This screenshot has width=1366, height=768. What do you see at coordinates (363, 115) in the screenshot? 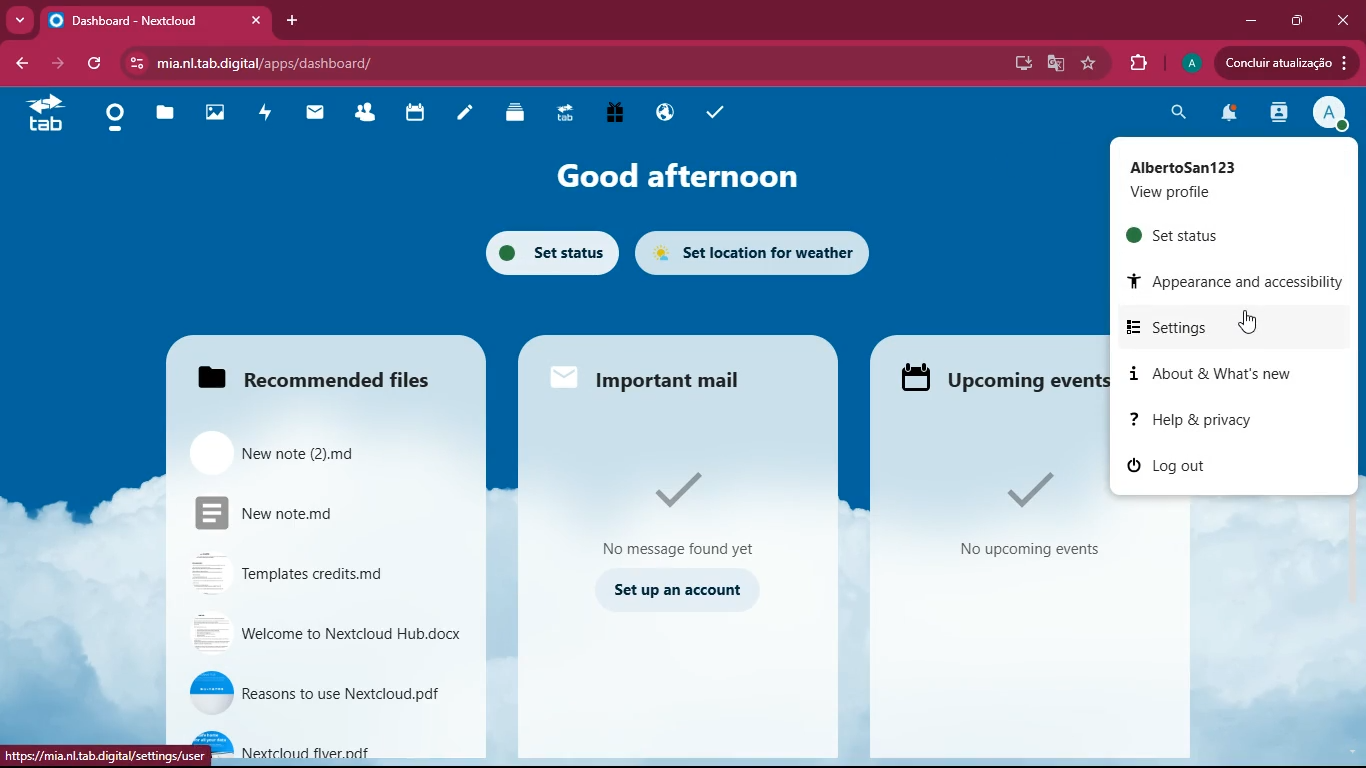
I see `friends` at bounding box center [363, 115].